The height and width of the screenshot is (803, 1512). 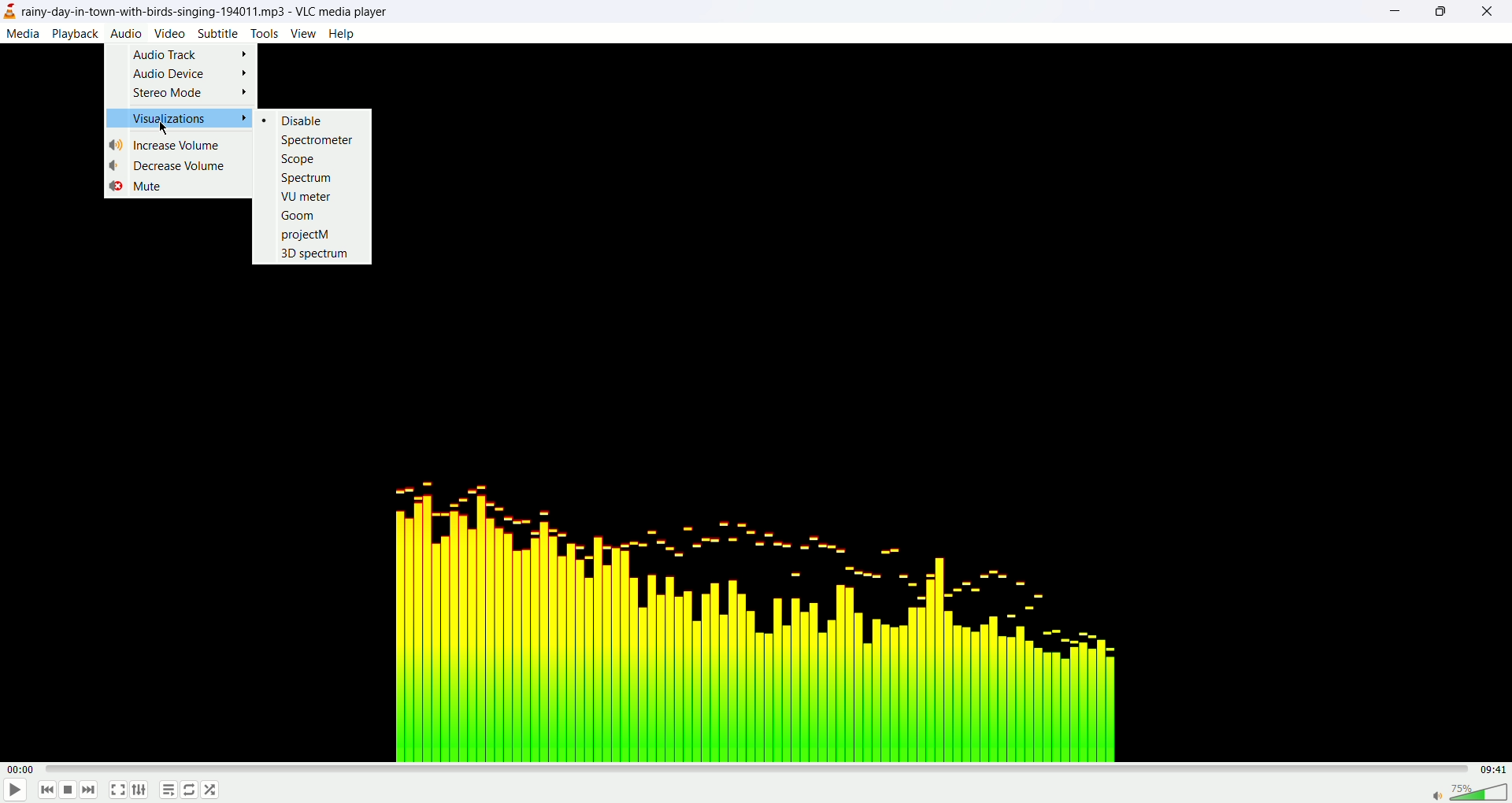 I want to click on visualization, so click(x=180, y=117).